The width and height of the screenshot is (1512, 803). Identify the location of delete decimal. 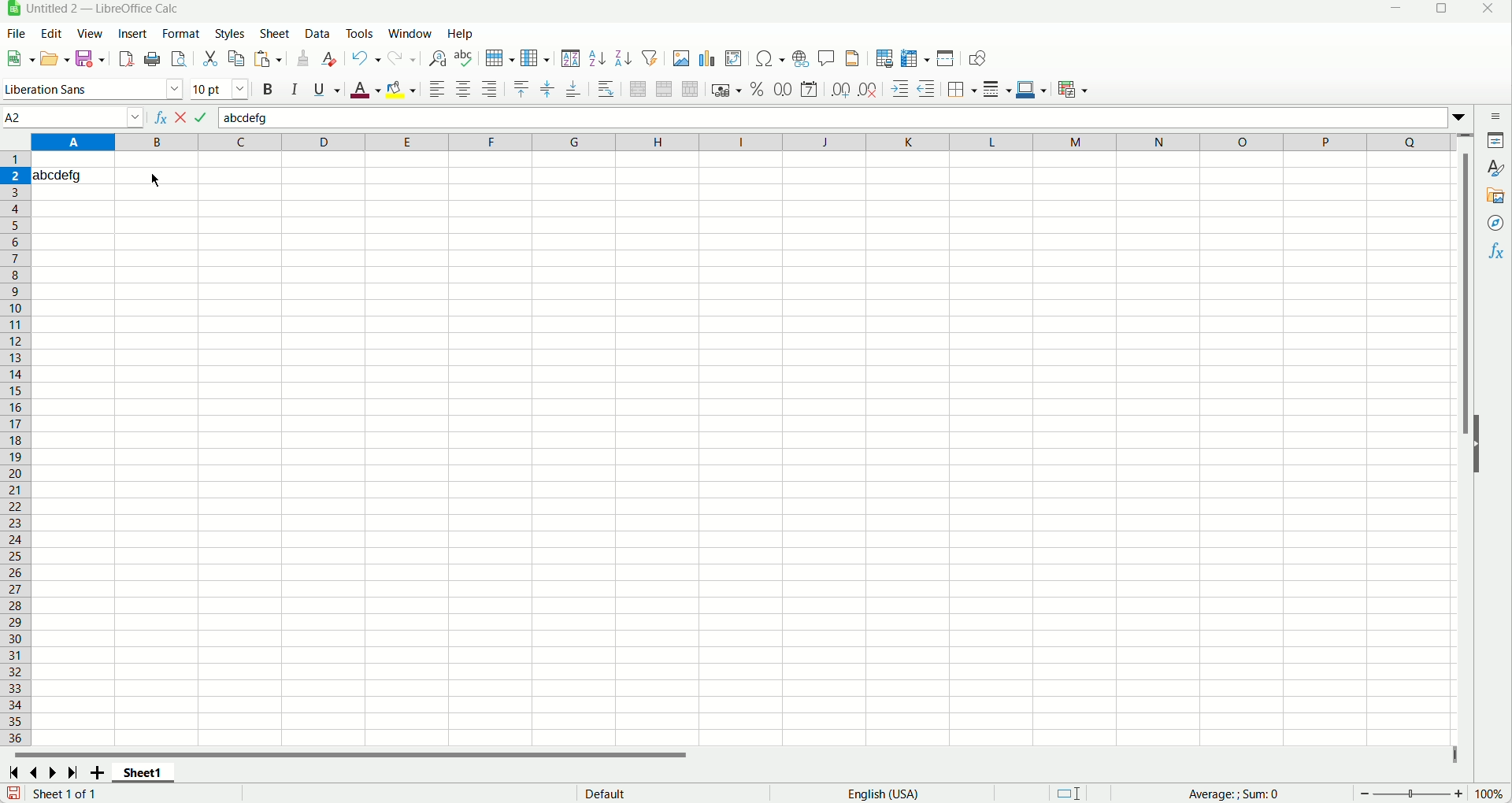
(867, 89).